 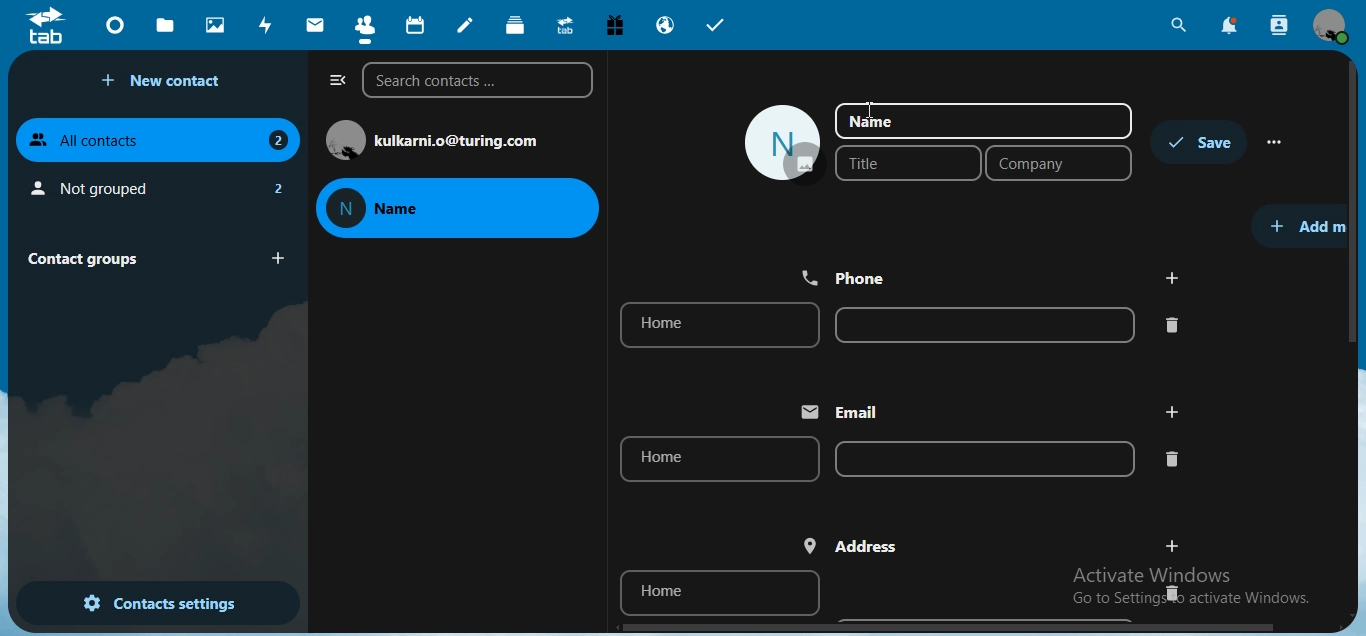 What do you see at coordinates (313, 25) in the screenshot?
I see `mail` at bounding box center [313, 25].